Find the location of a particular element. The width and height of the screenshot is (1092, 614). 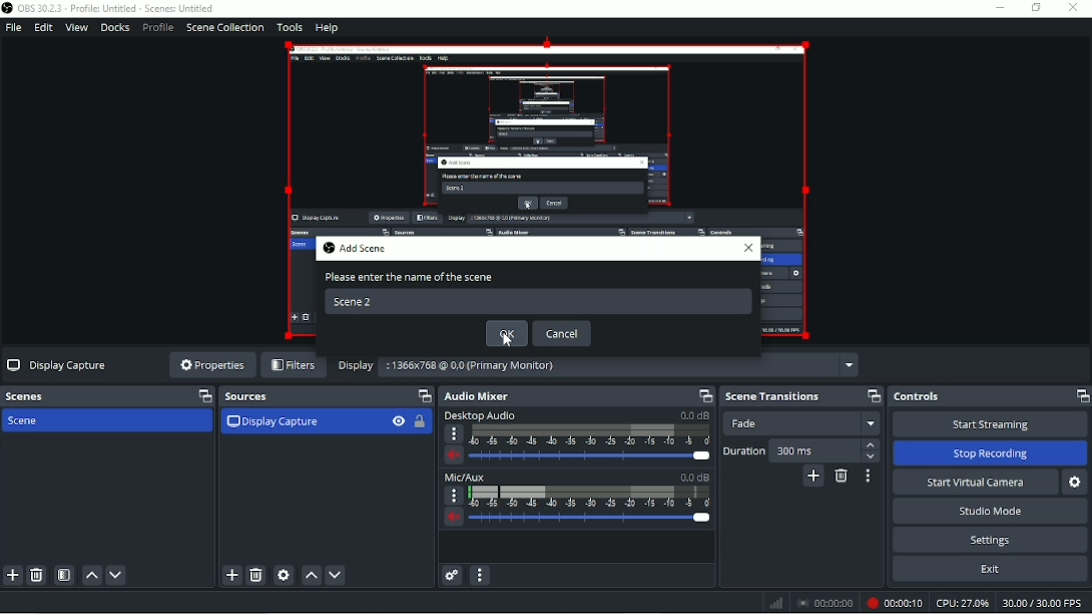

cursor is located at coordinates (509, 342).